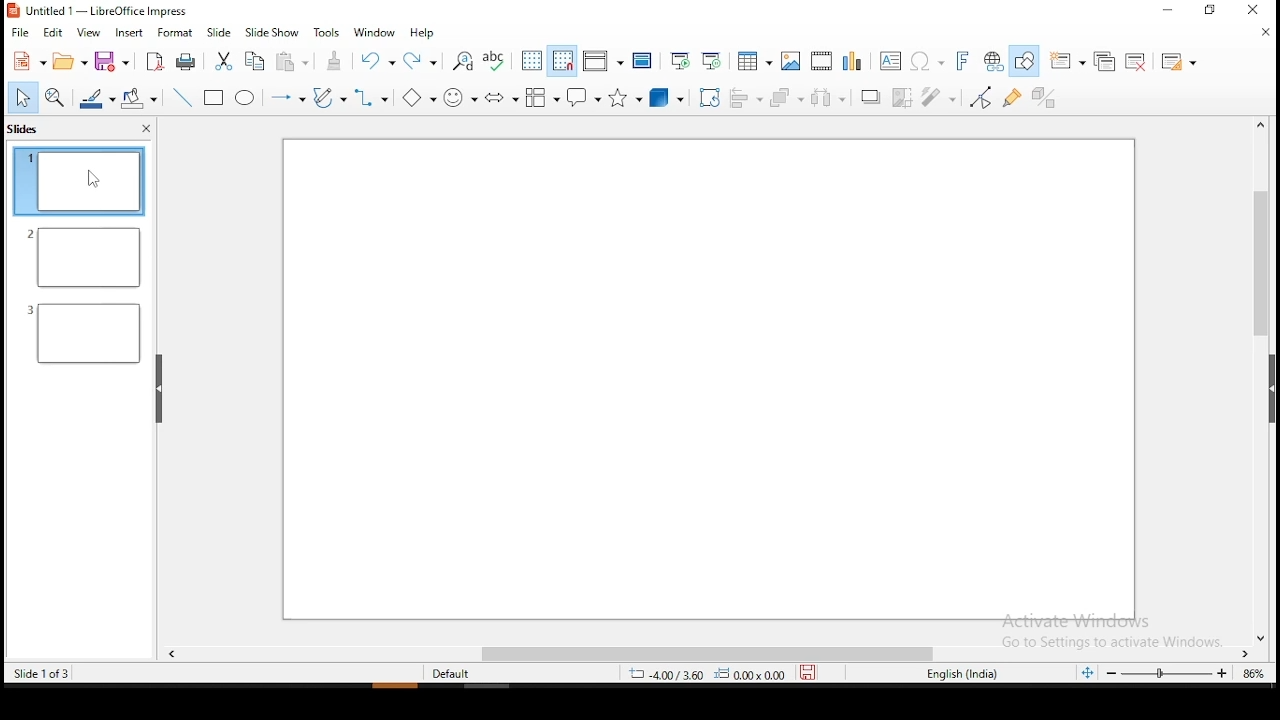  I want to click on file, so click(22, 35).